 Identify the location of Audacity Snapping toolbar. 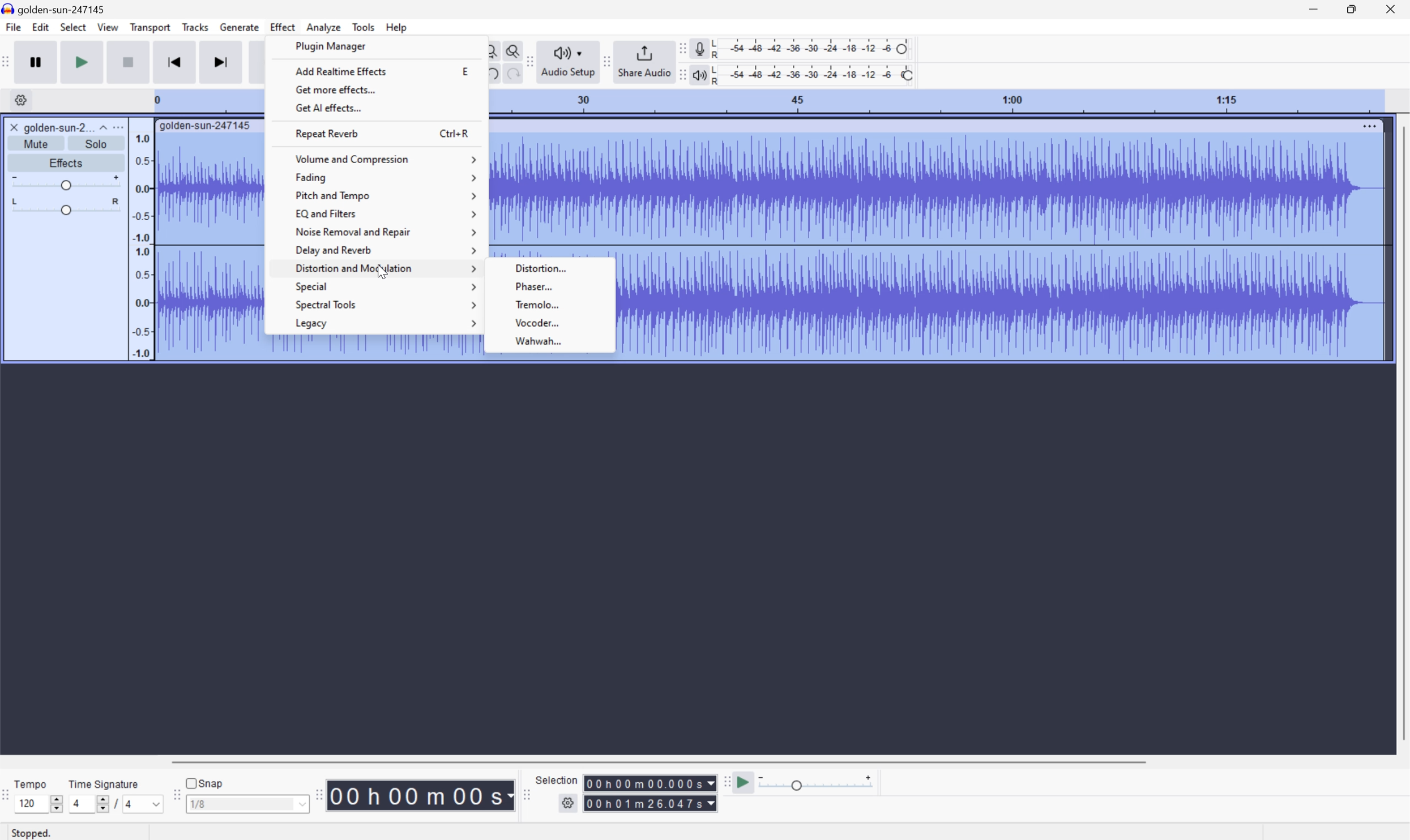
(176, 796).